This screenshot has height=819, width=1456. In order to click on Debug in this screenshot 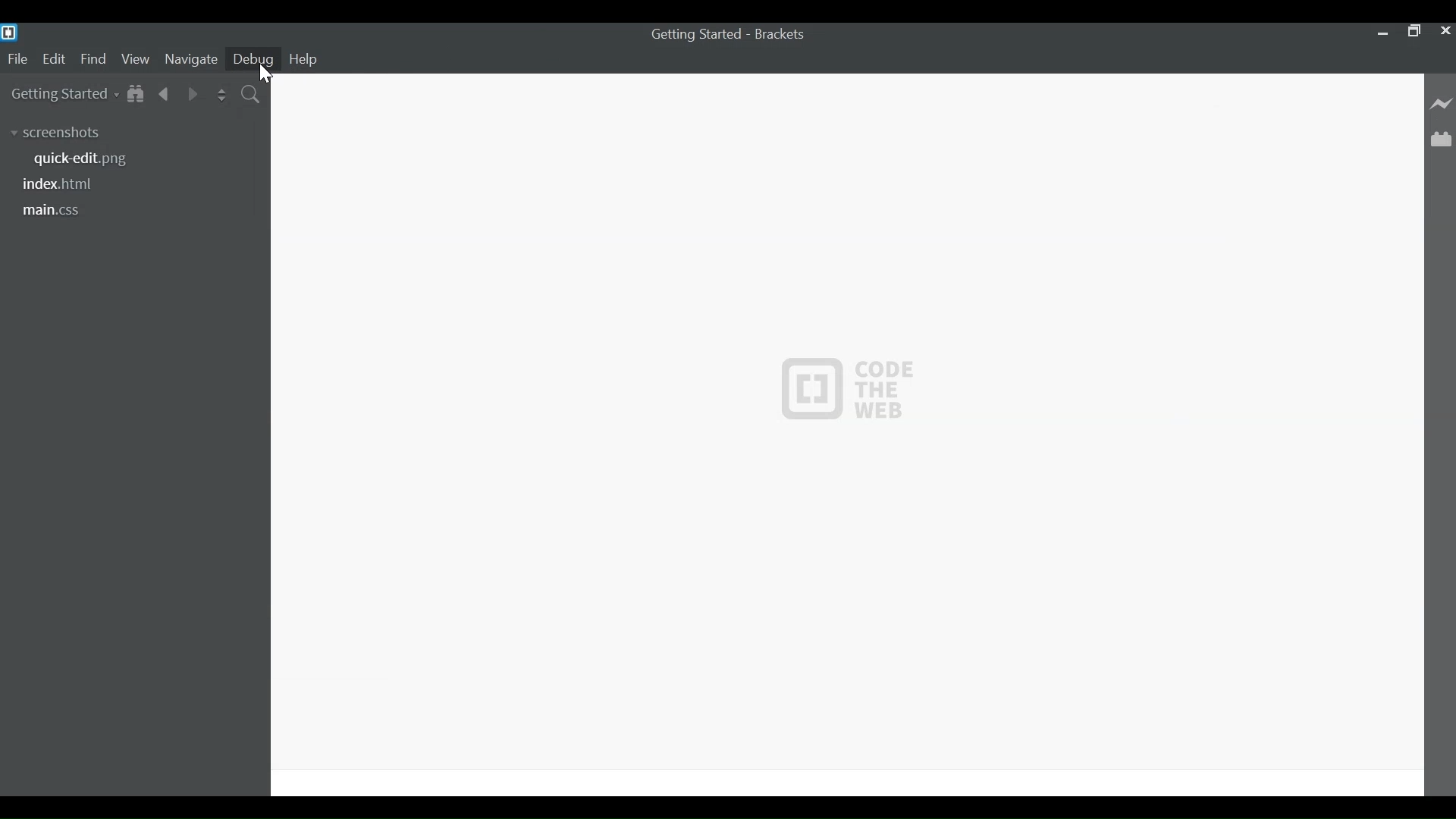, I will do `click(253, 58)`.